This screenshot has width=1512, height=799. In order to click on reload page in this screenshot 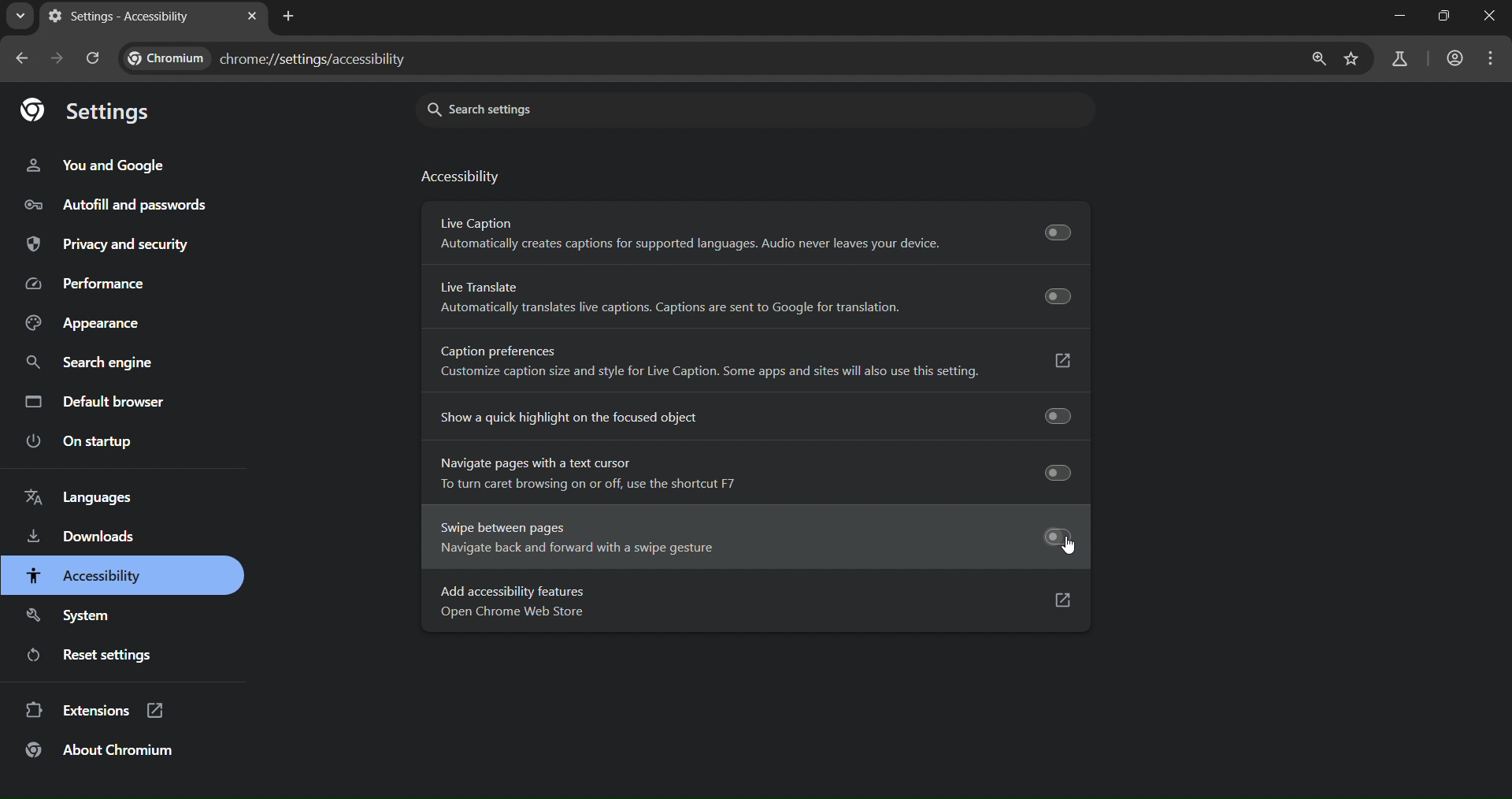, I will do `click(95, 58)`.